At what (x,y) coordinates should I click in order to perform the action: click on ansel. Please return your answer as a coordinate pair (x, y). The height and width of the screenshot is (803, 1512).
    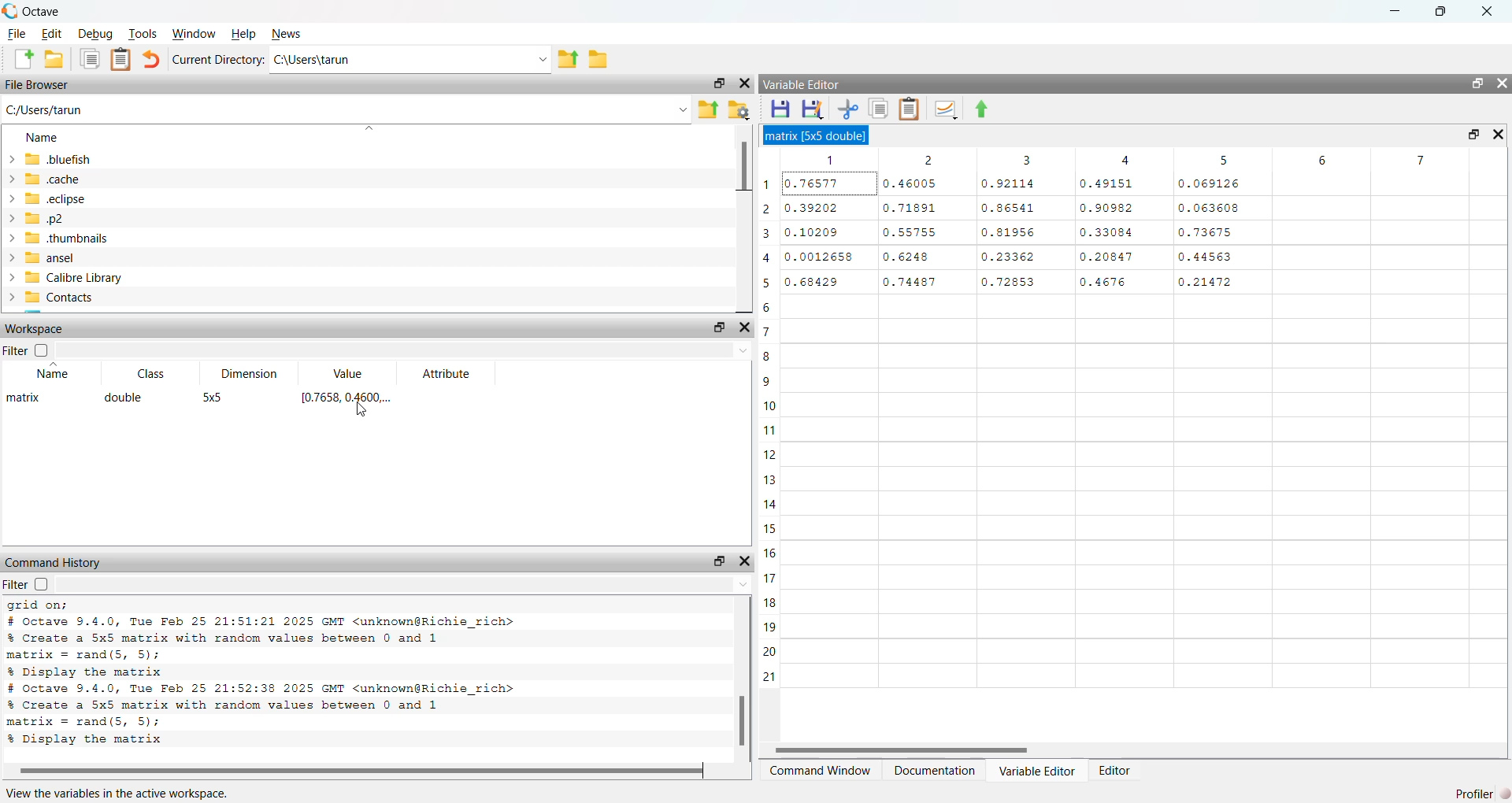
    Looking at the image, I should click on (55, 258).